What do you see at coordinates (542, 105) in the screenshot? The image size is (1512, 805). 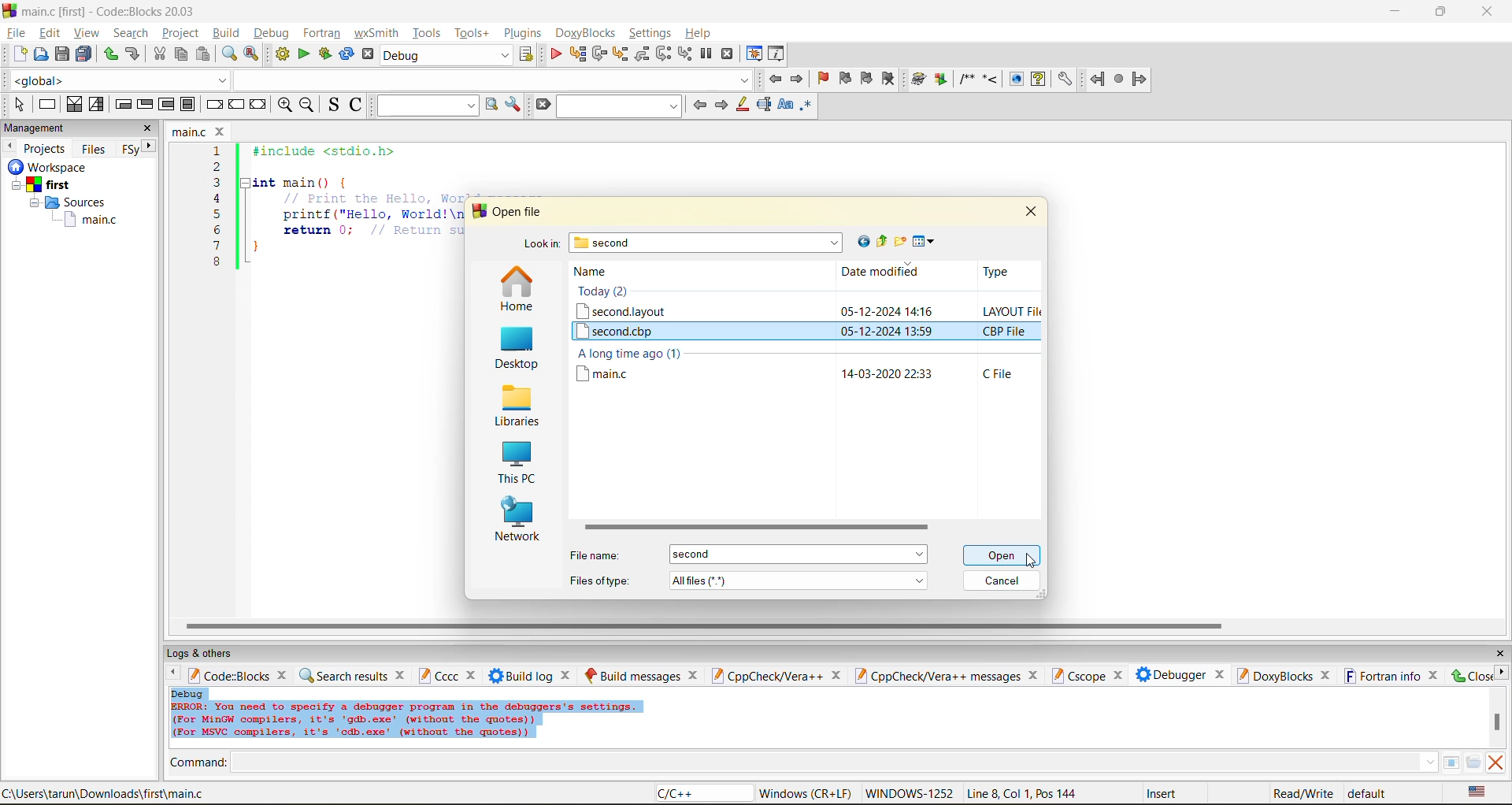 I see `clear` at bounding box center [542, 105].